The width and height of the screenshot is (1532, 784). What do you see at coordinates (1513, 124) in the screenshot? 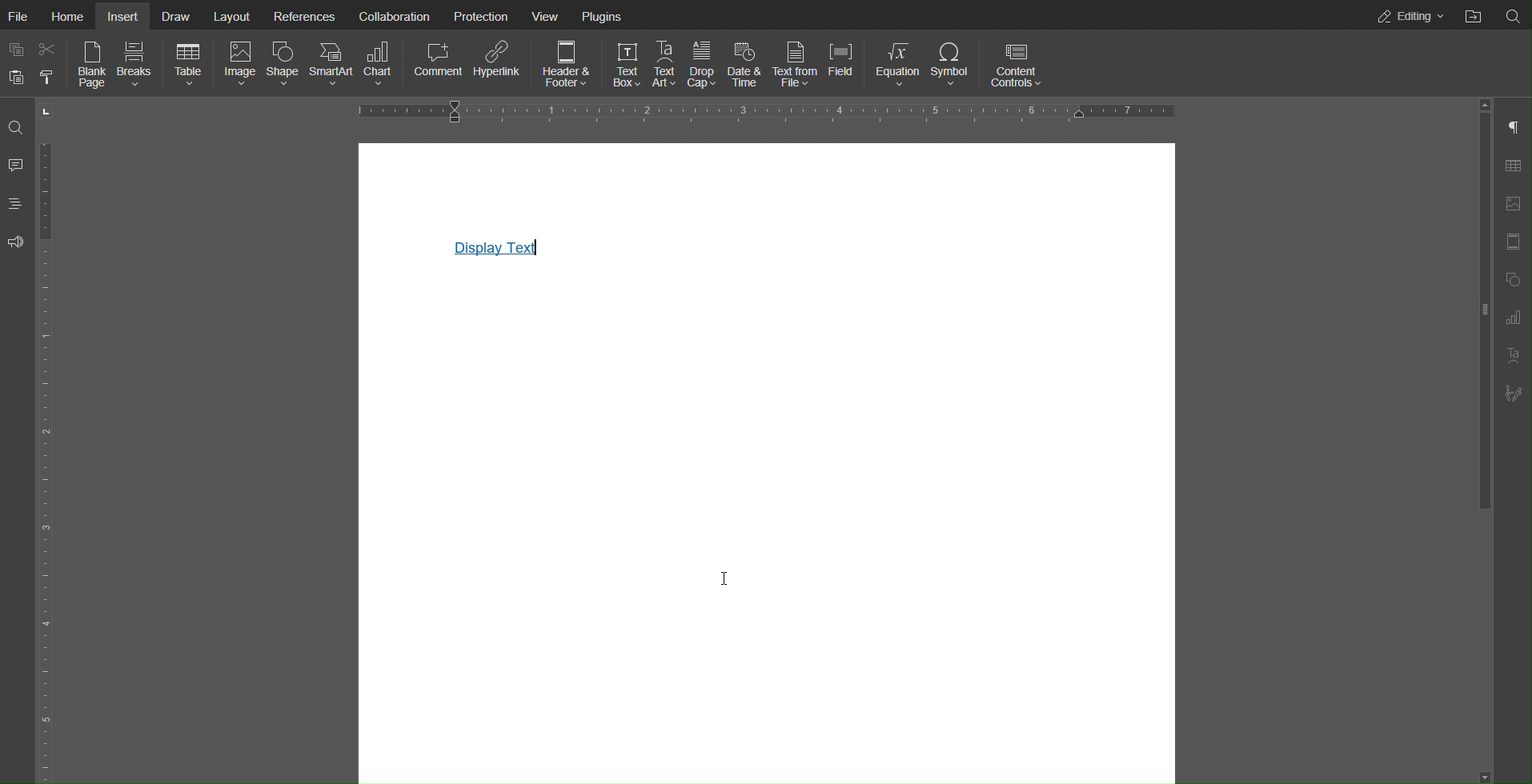
I see `Paragraph Settings` at bounding box center [1513, 124].